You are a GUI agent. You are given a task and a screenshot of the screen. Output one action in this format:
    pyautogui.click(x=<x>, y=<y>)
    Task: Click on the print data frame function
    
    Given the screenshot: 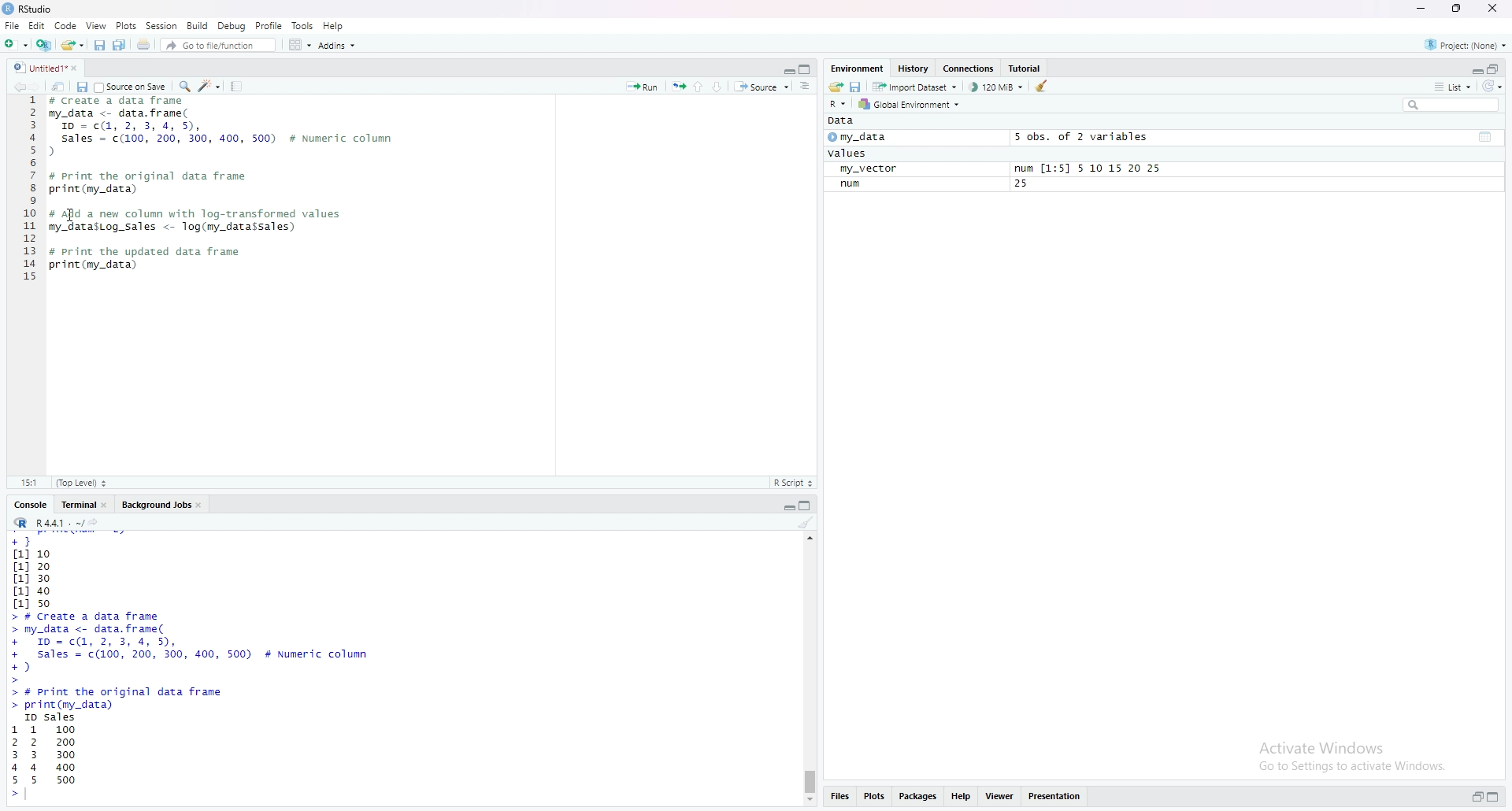 What is the action you would take?
    pyautogui.click(x=132, y=698)
    